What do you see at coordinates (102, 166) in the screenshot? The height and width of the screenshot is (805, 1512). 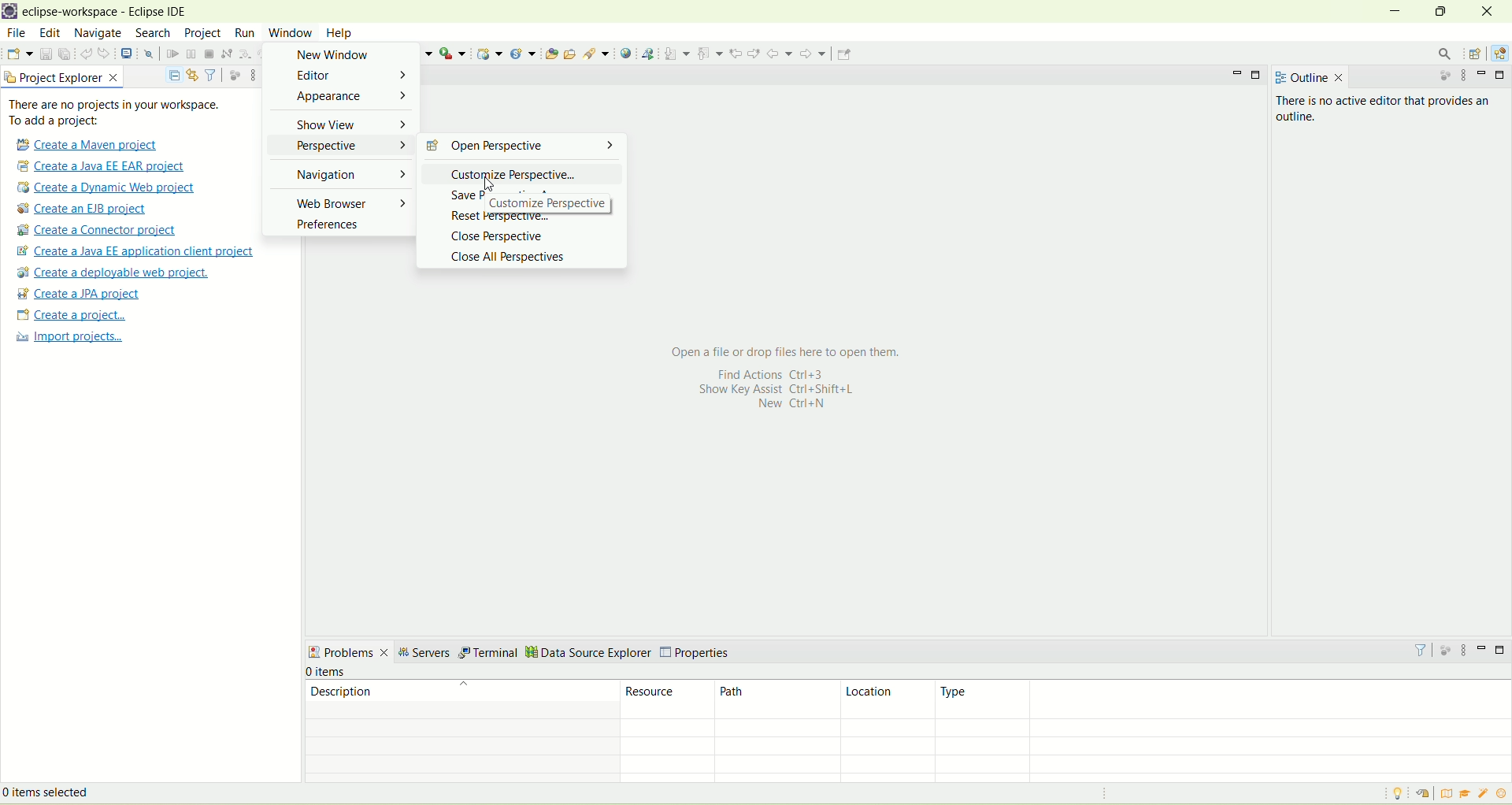 I see `create a Java EE EAR project` at bounding box center [102, 166].